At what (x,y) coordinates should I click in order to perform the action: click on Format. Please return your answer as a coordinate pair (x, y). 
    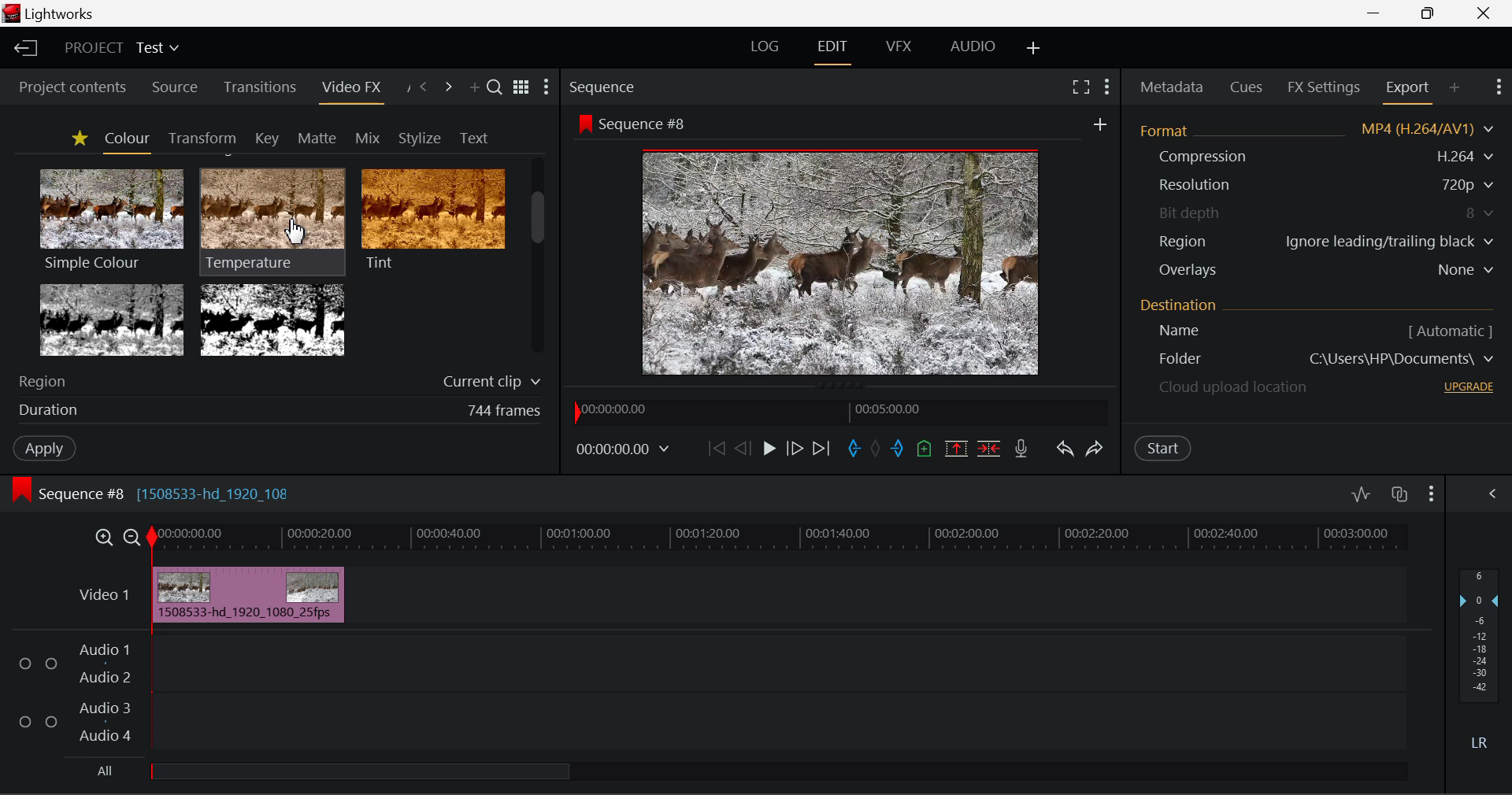
    Looking at the image, I should click on (1168, 129).